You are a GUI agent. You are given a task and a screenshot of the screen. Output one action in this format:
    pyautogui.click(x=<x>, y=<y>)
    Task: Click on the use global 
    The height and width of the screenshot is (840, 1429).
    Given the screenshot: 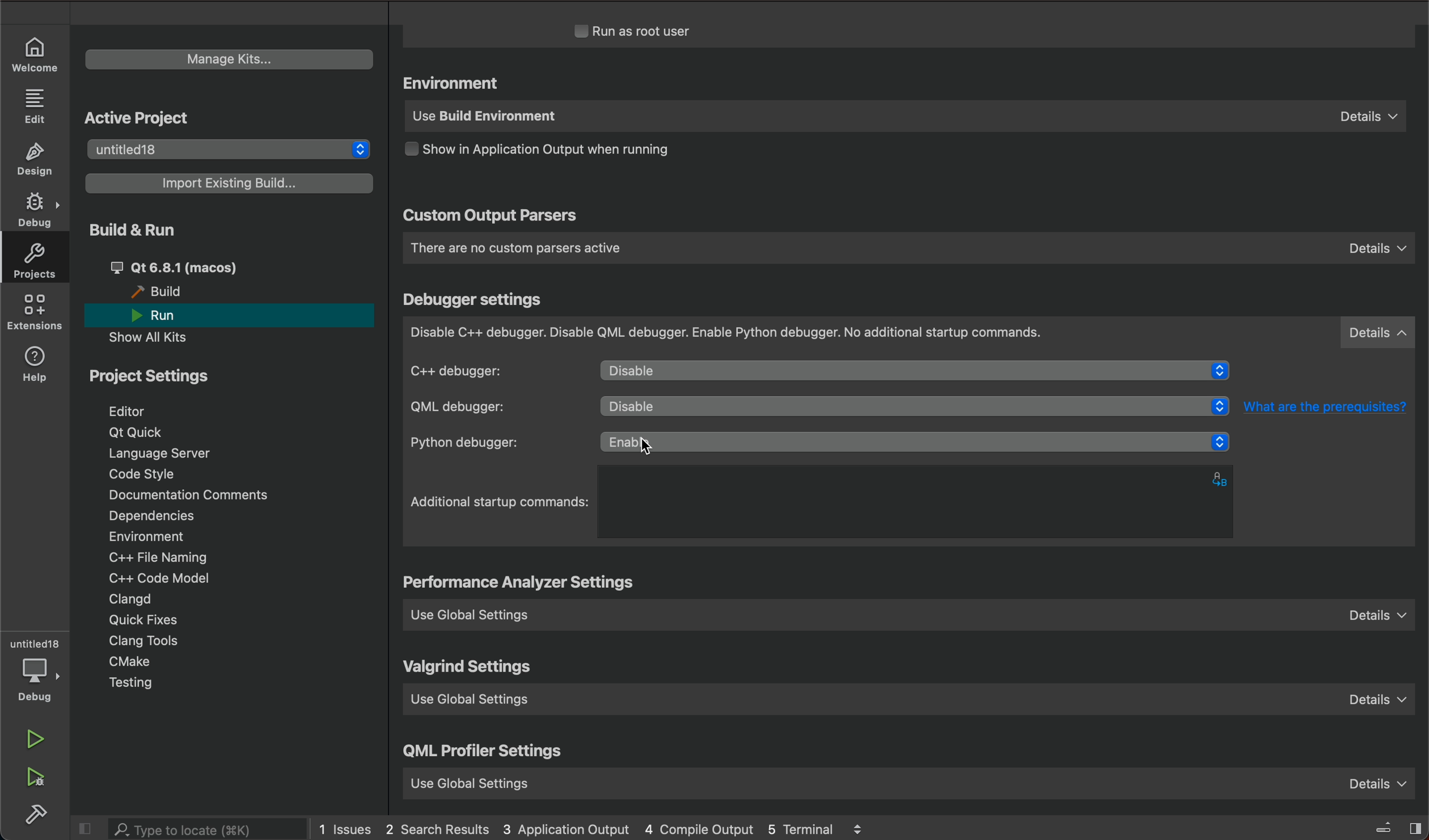 What is the action you would take?
    pyautogui.click(x=916, y=614)
    